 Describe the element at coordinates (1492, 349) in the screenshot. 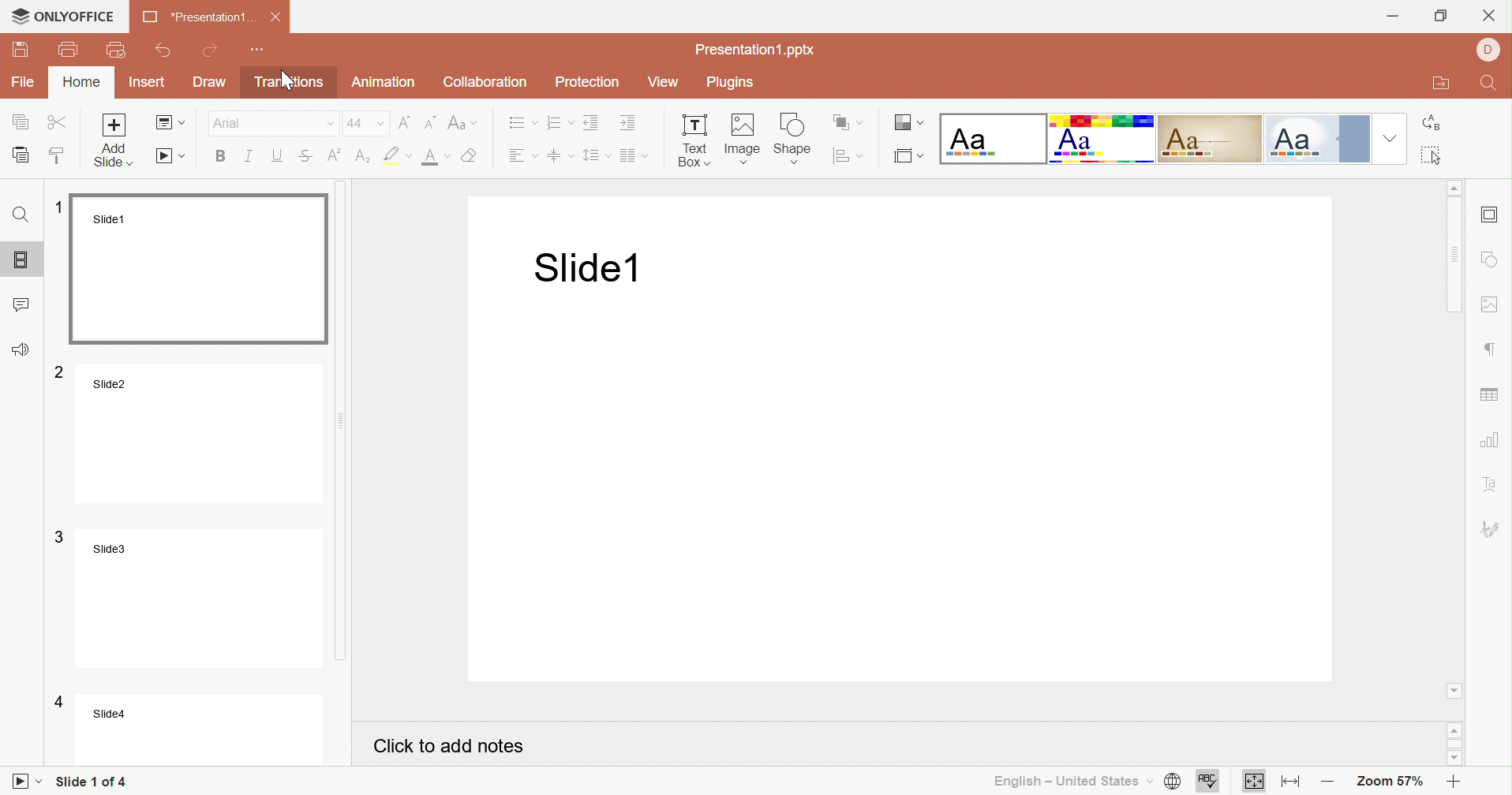

I see `Paragraph settings` at that location.